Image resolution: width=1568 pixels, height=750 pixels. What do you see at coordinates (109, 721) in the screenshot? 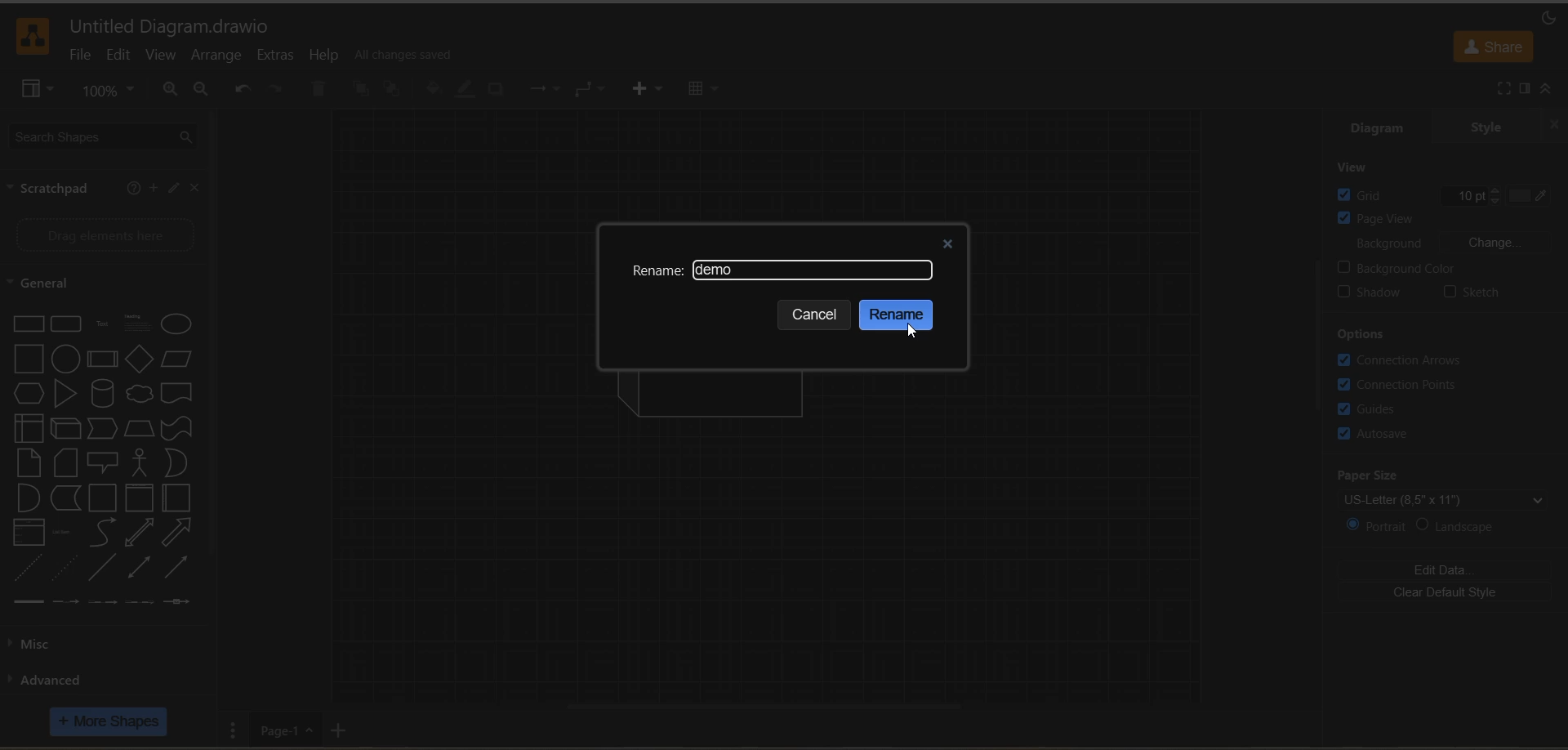
I see `more shapes` at bounding box center [109, 721].